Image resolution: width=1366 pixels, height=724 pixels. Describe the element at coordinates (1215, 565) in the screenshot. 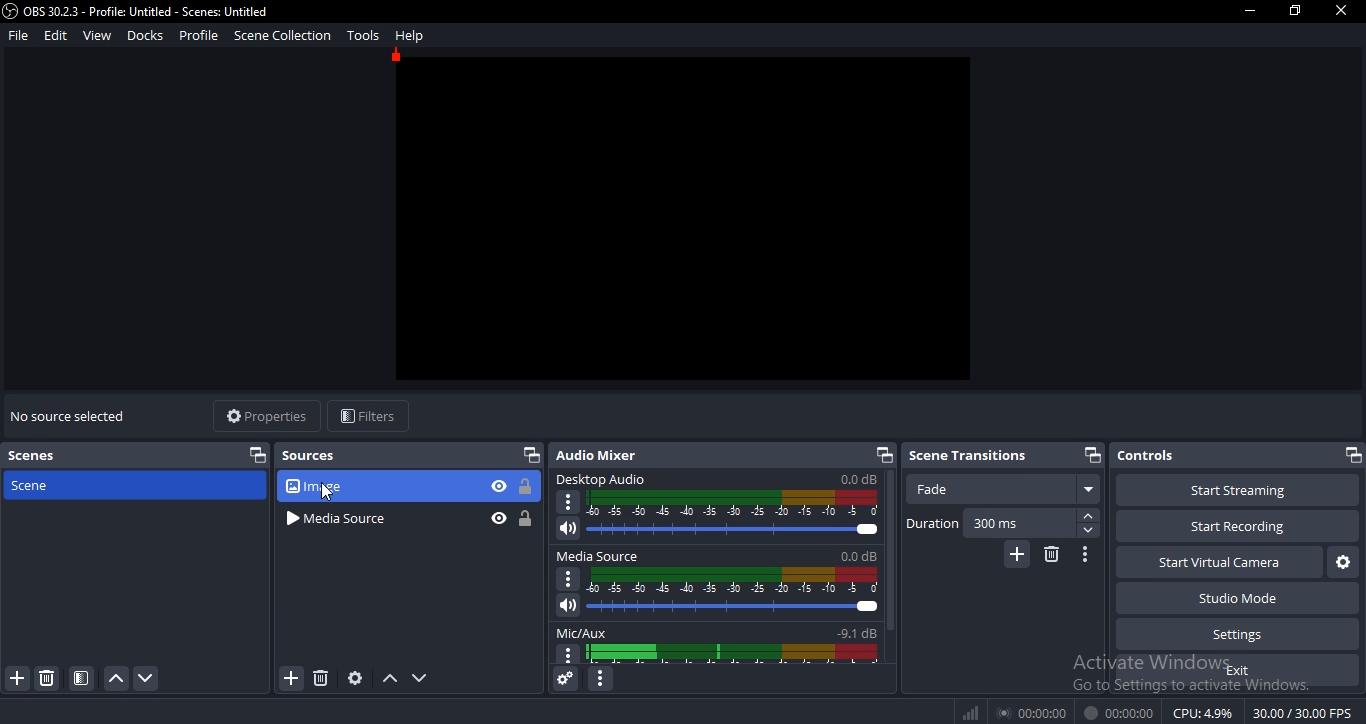

I see `start virtual camera` at that location.